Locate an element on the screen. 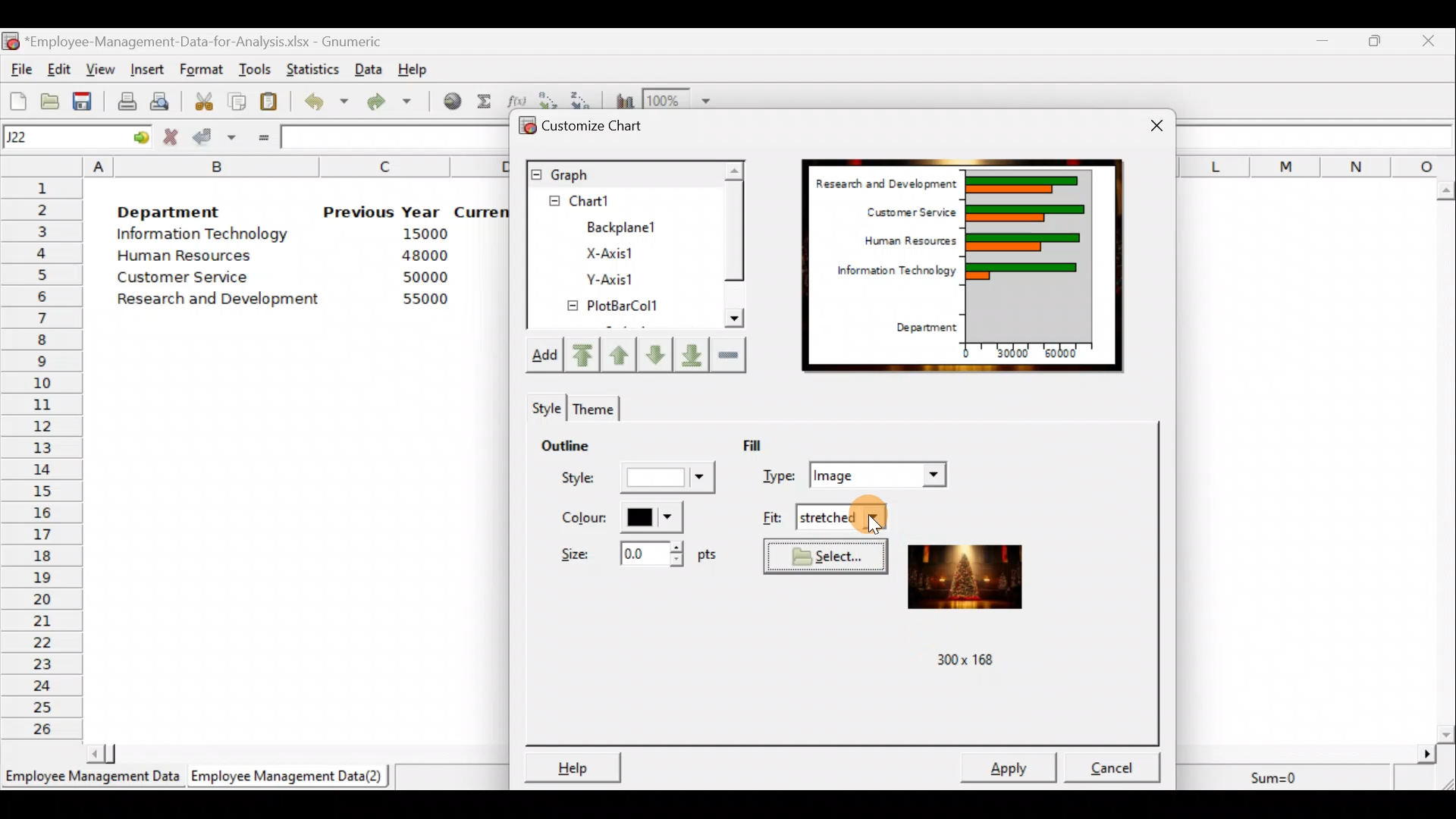  Cancel change is located at coordinates (172, 137).